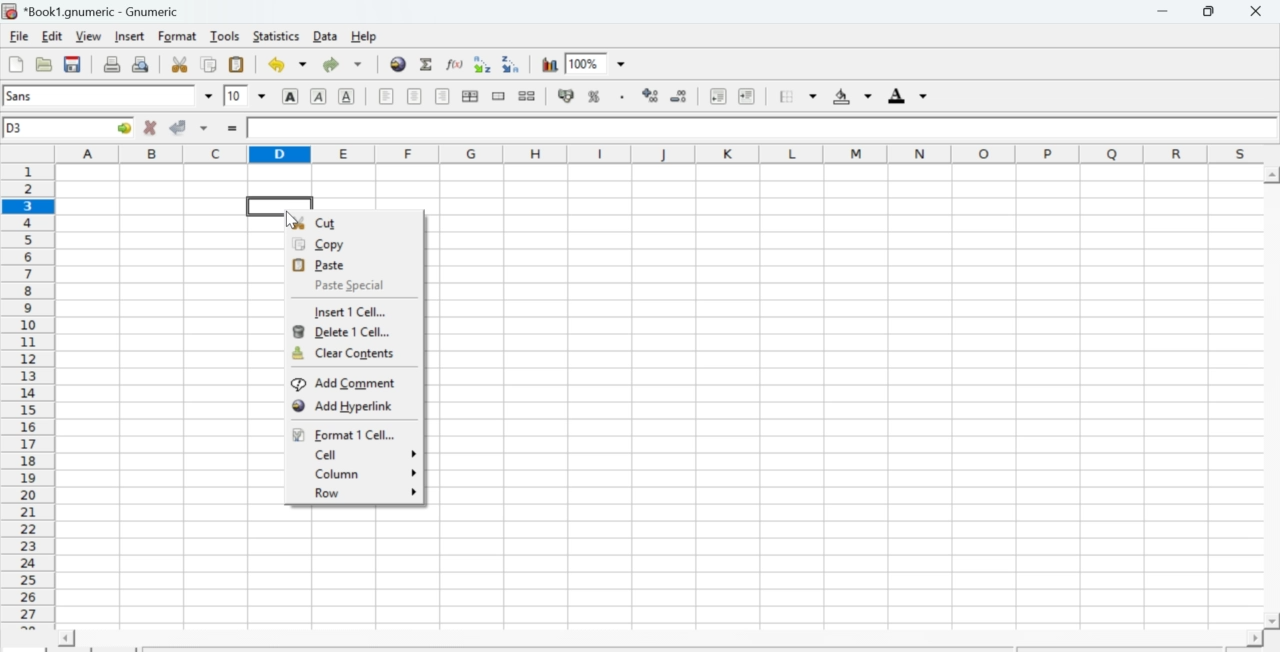 This screenshot has width=1280, height=652. I want to click on Redo, so click(346, 64).